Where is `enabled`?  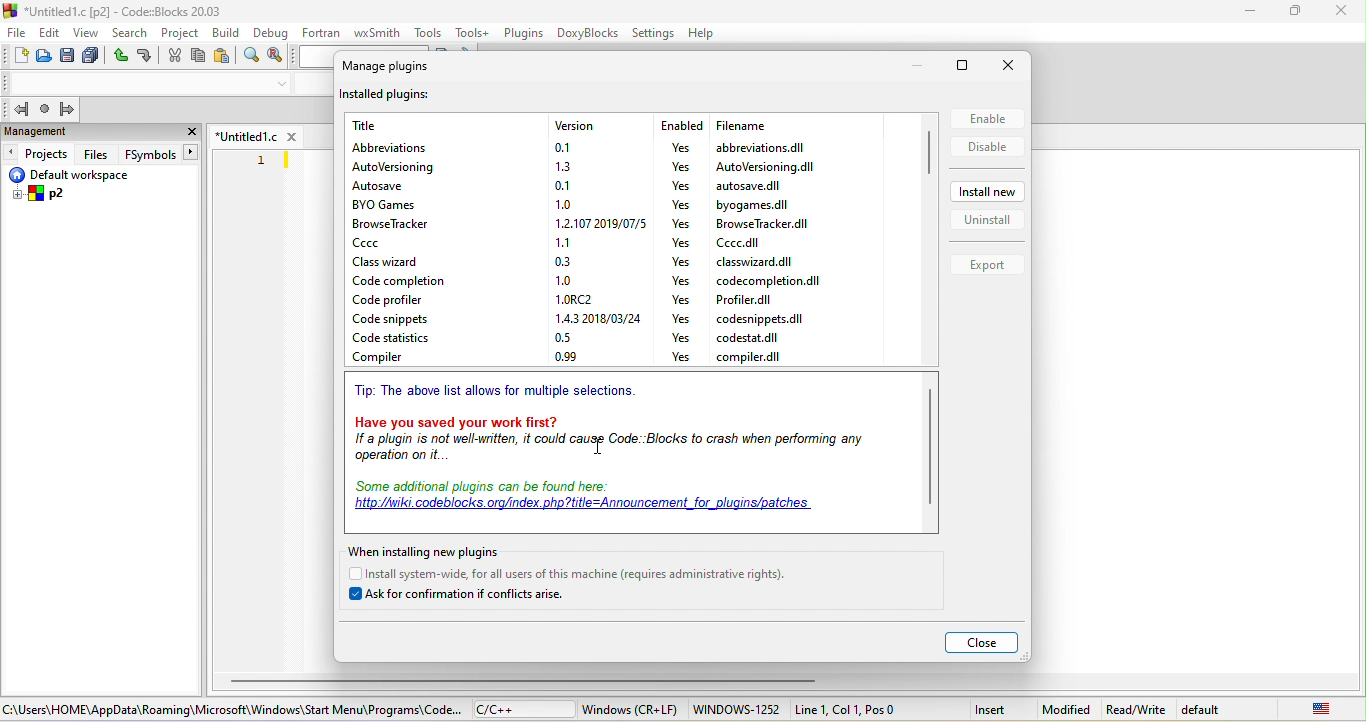 enabled is located at coordinates (680, 125).